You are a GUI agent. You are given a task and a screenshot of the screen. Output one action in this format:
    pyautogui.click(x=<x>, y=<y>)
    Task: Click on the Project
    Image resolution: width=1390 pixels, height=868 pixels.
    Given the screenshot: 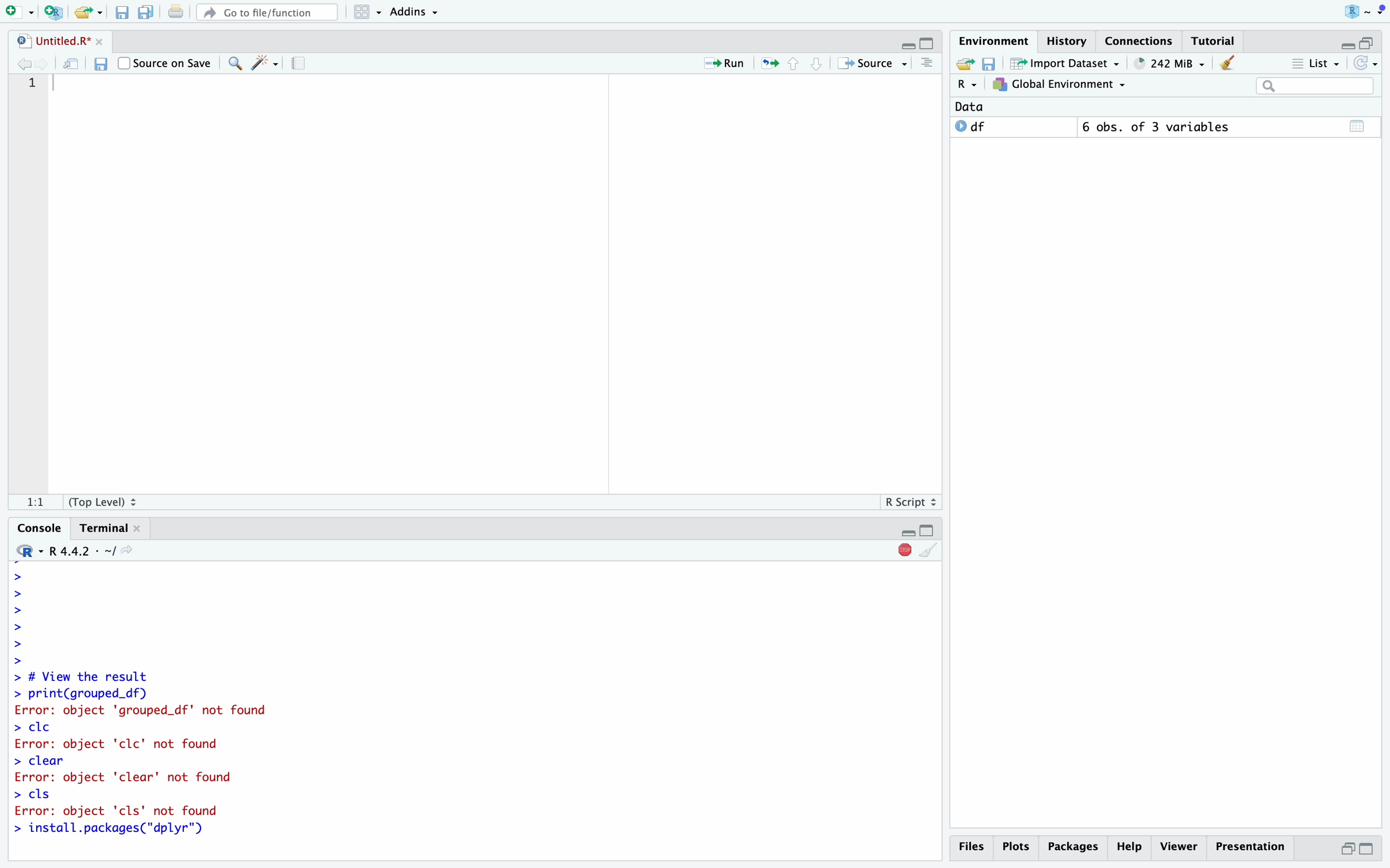 What is the action you would take?
    pyautogui.click(x=1364, y=12)
    